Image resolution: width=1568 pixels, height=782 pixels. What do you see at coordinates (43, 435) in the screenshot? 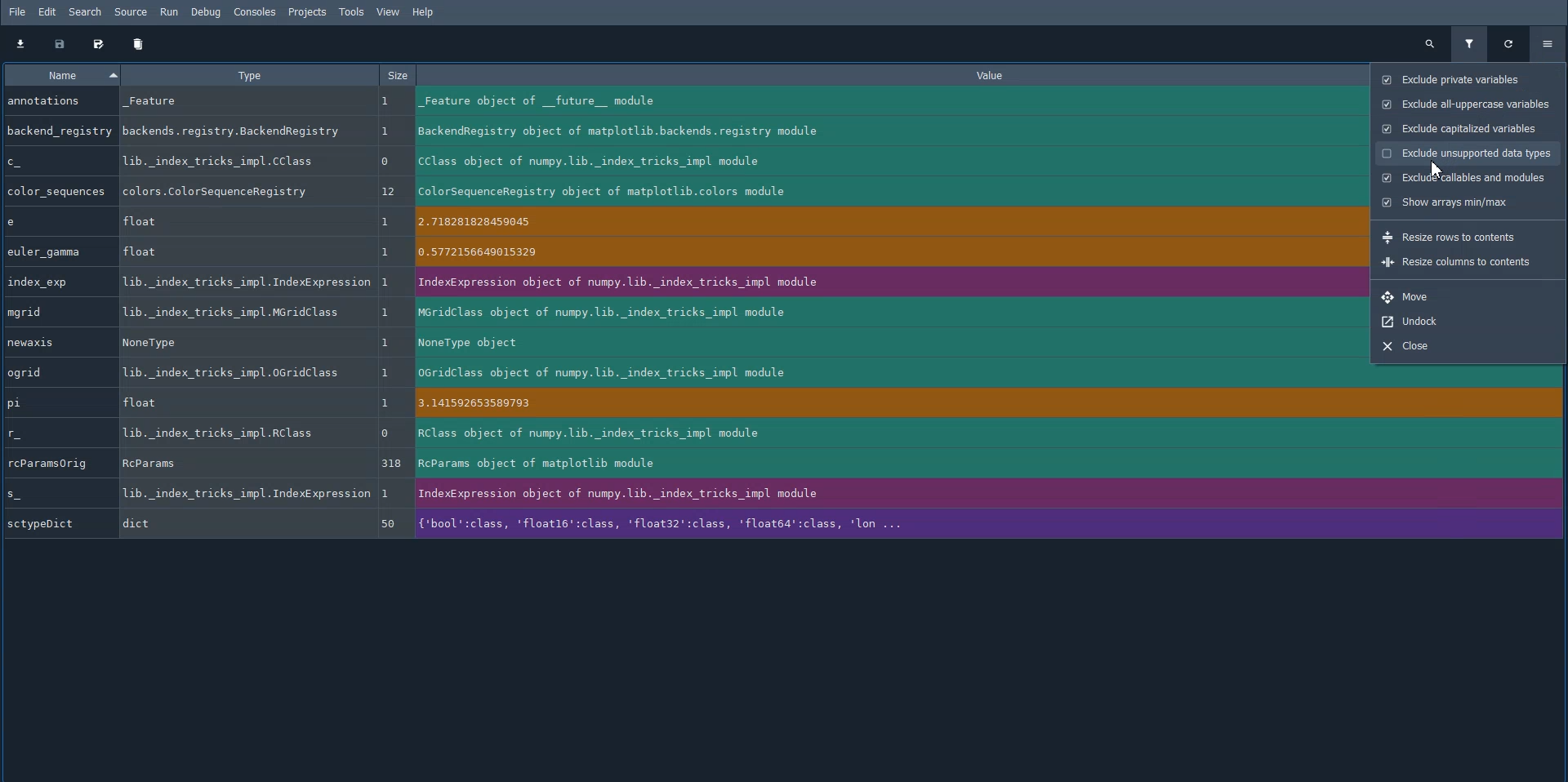
I see `r` at bounding box center [43, 435].